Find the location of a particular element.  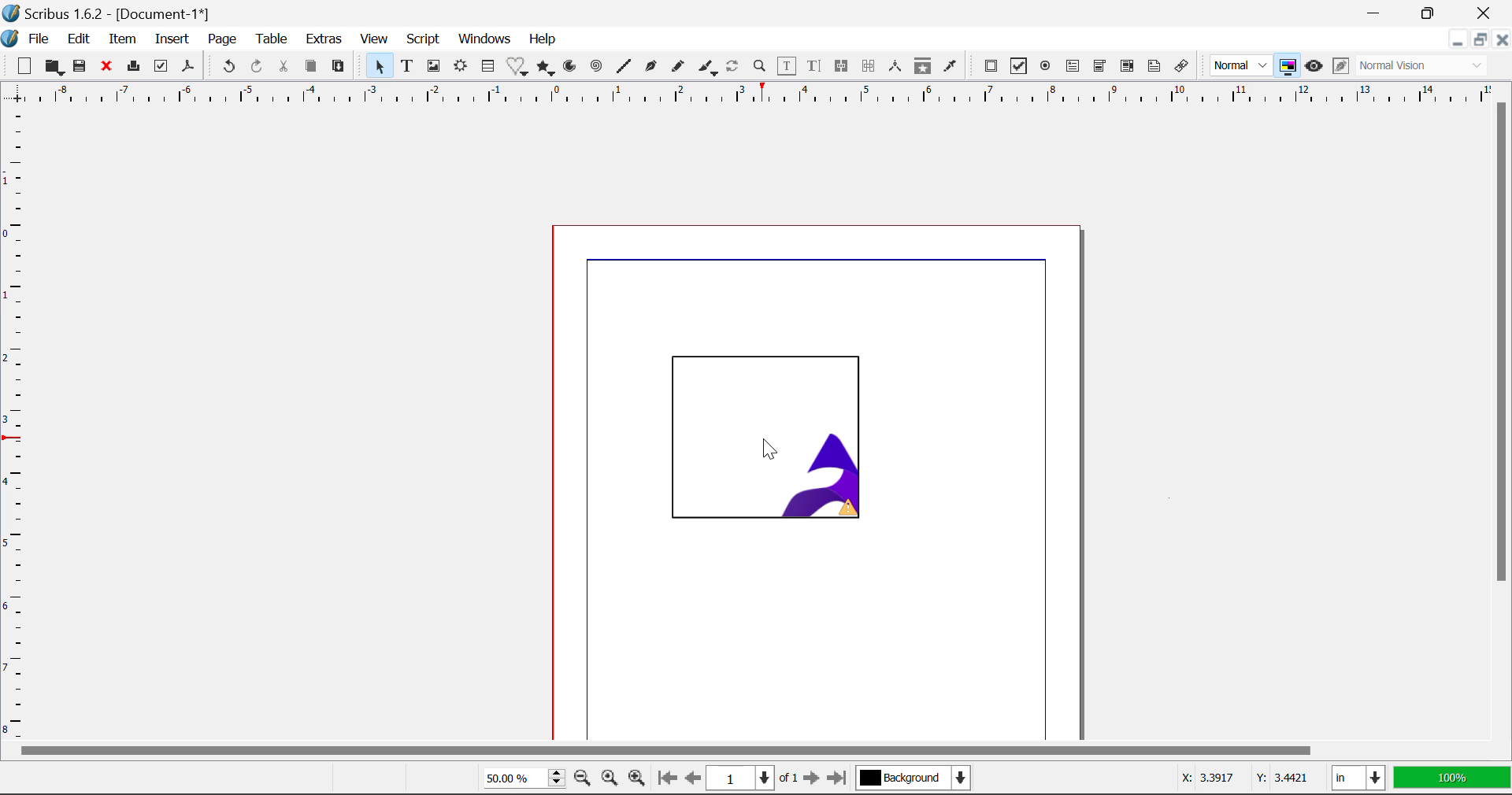

Special Shape is located at coordinates (516, 66).